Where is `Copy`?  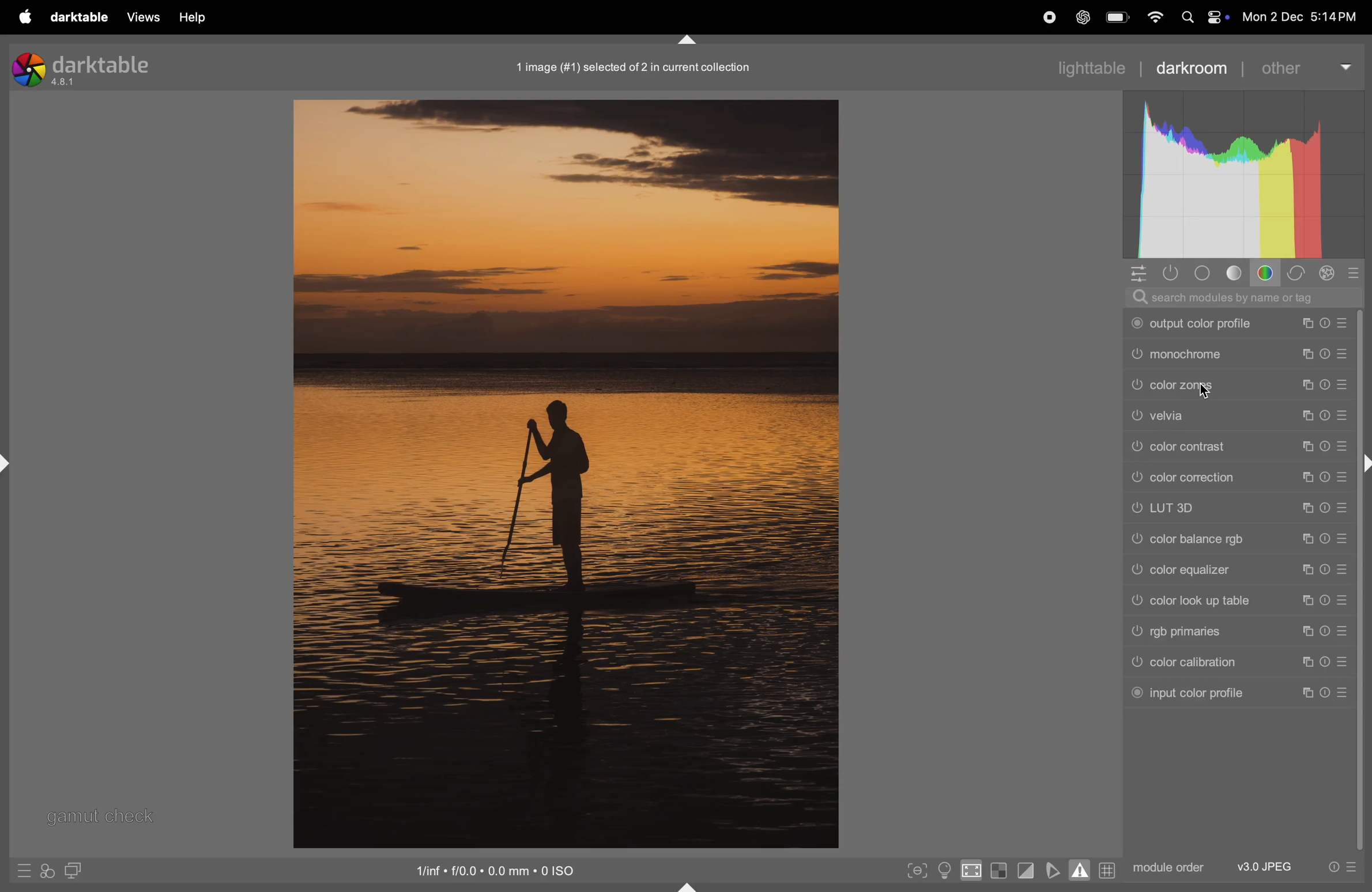
Copy is located at coordinates (1306, 570).